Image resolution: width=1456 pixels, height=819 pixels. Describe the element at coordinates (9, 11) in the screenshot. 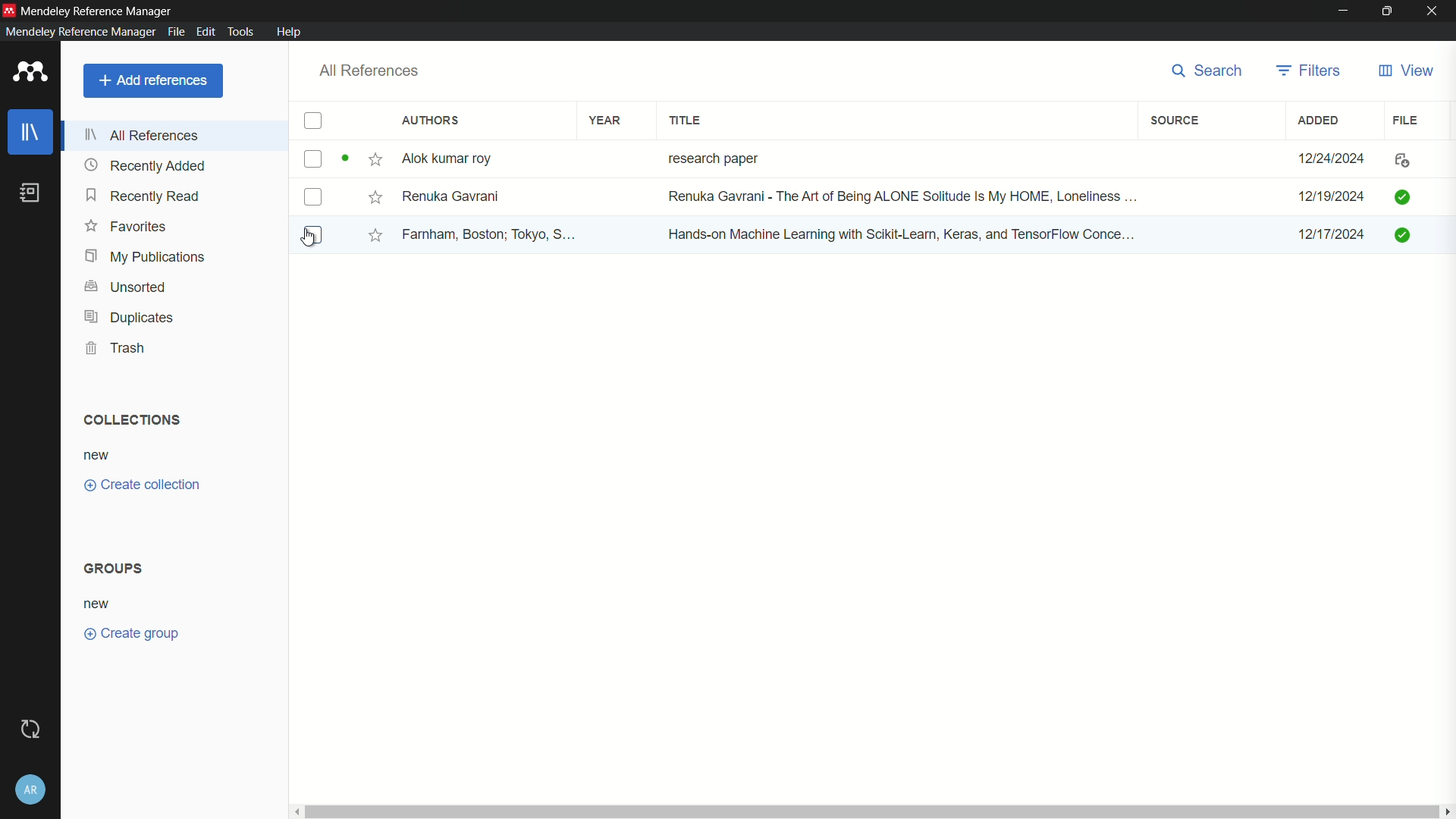

I see `app icon` at that location.